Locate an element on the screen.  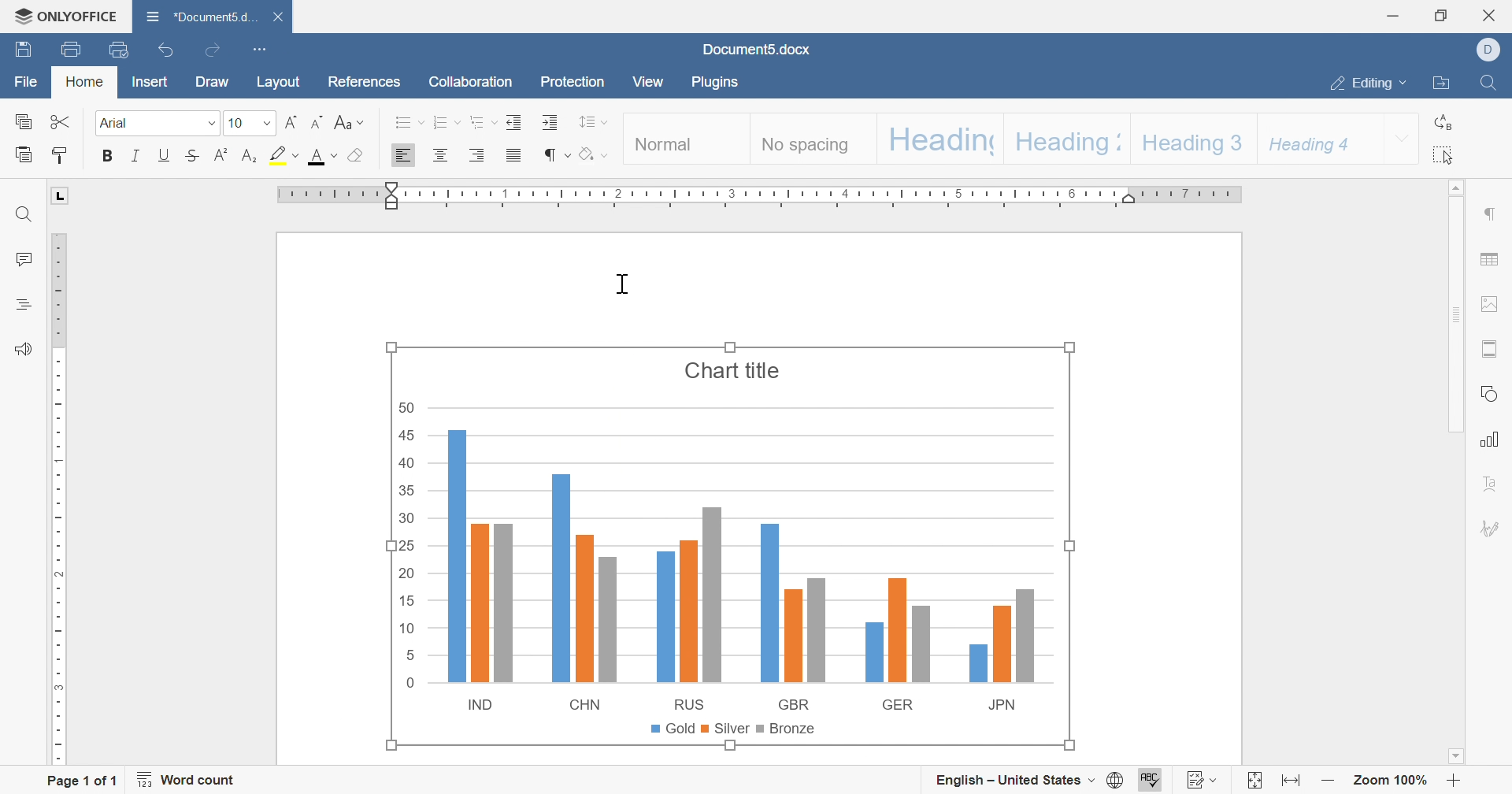
paragraph settings is located at coordinates (1489, 213).